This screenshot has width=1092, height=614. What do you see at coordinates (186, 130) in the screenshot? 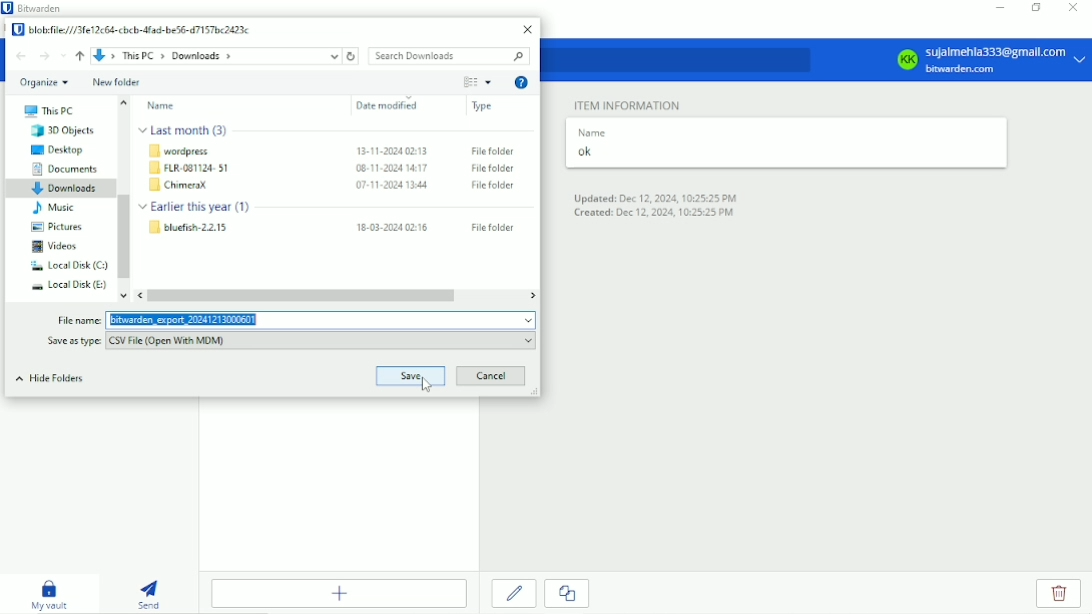
I see `Last month (3)` at bounding box center [186, 130].